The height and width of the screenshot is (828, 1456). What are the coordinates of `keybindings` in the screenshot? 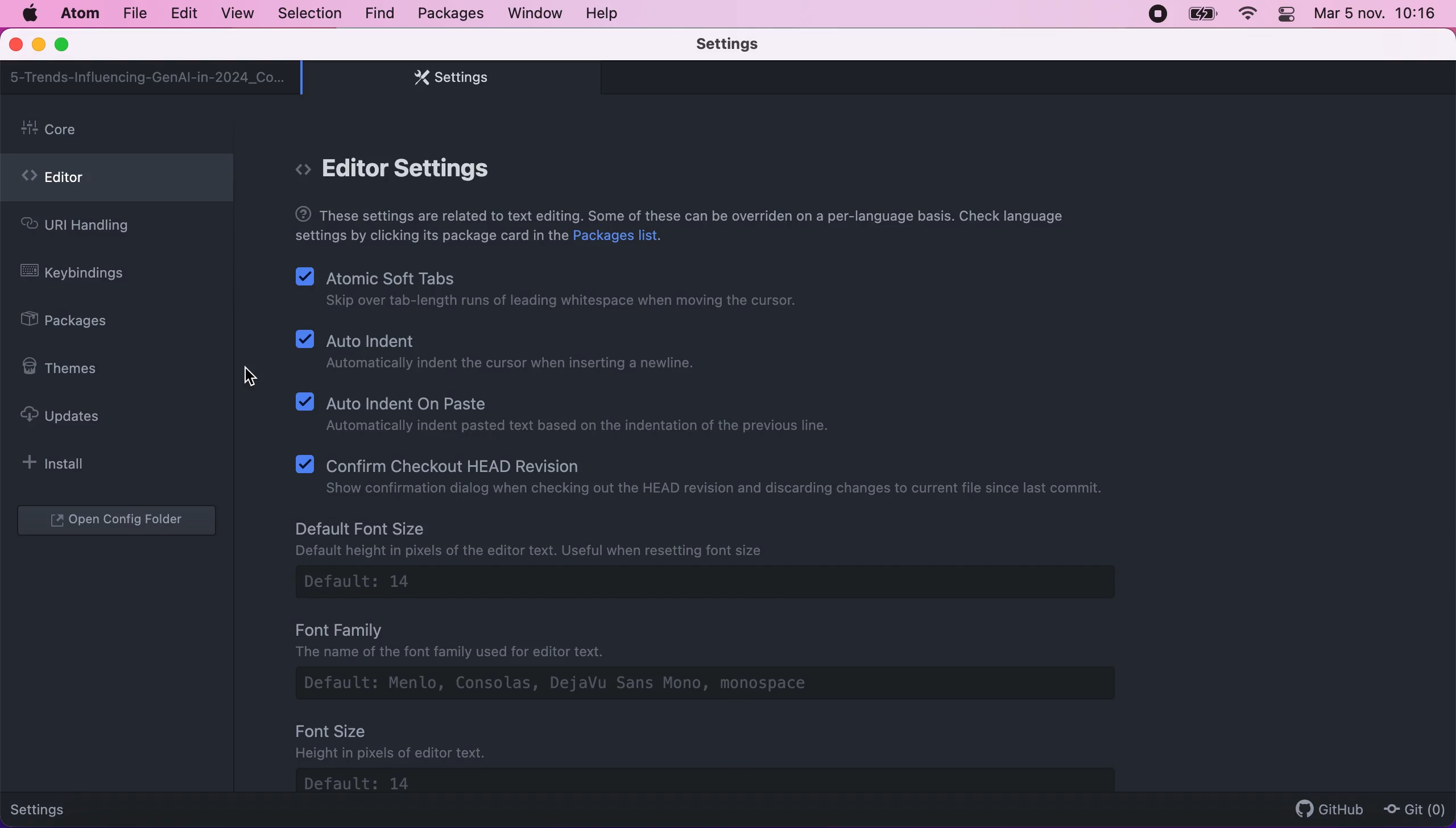 It's located at (81, 275).